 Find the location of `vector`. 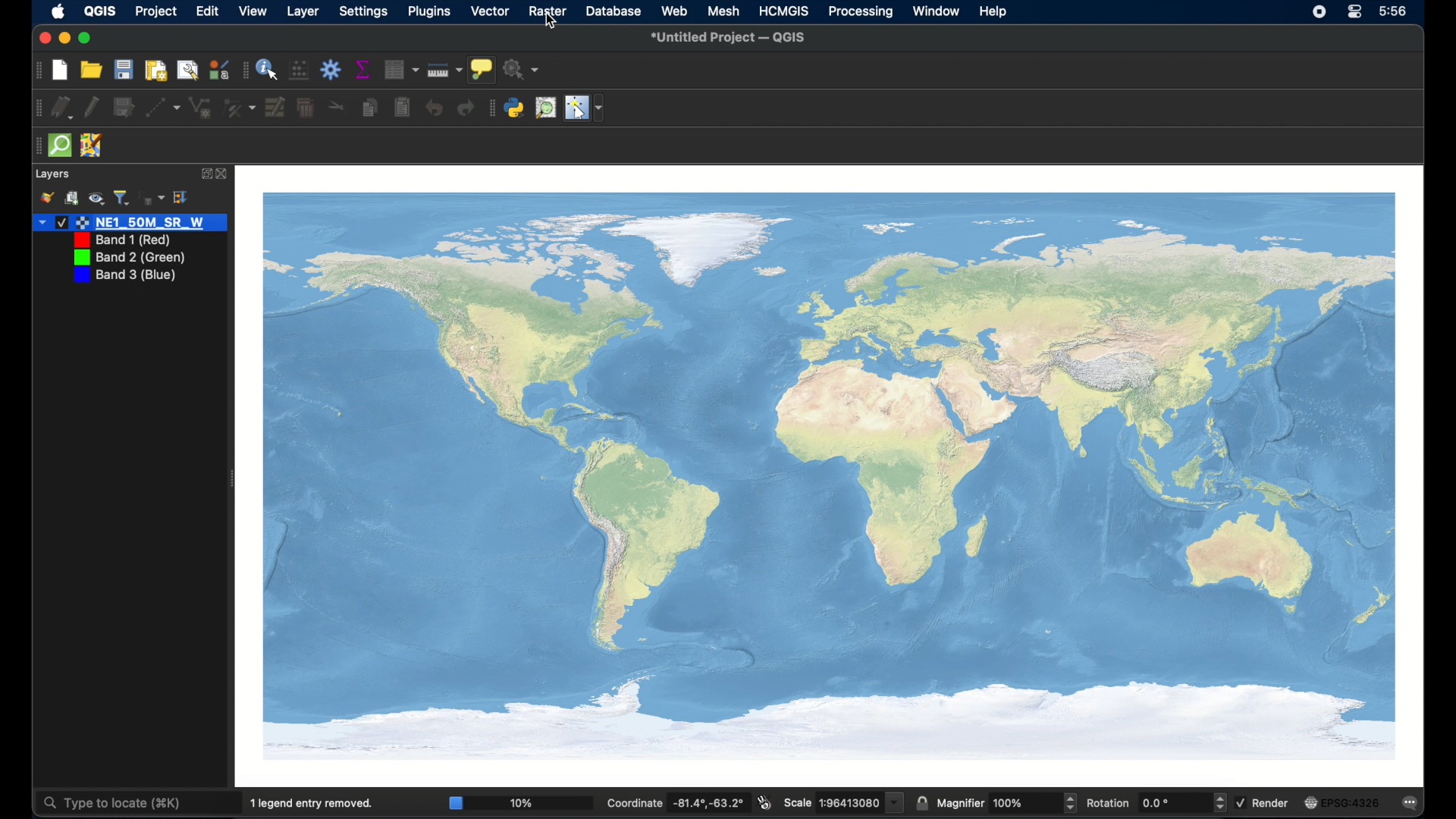

vector is located at coordinates (489, 11).